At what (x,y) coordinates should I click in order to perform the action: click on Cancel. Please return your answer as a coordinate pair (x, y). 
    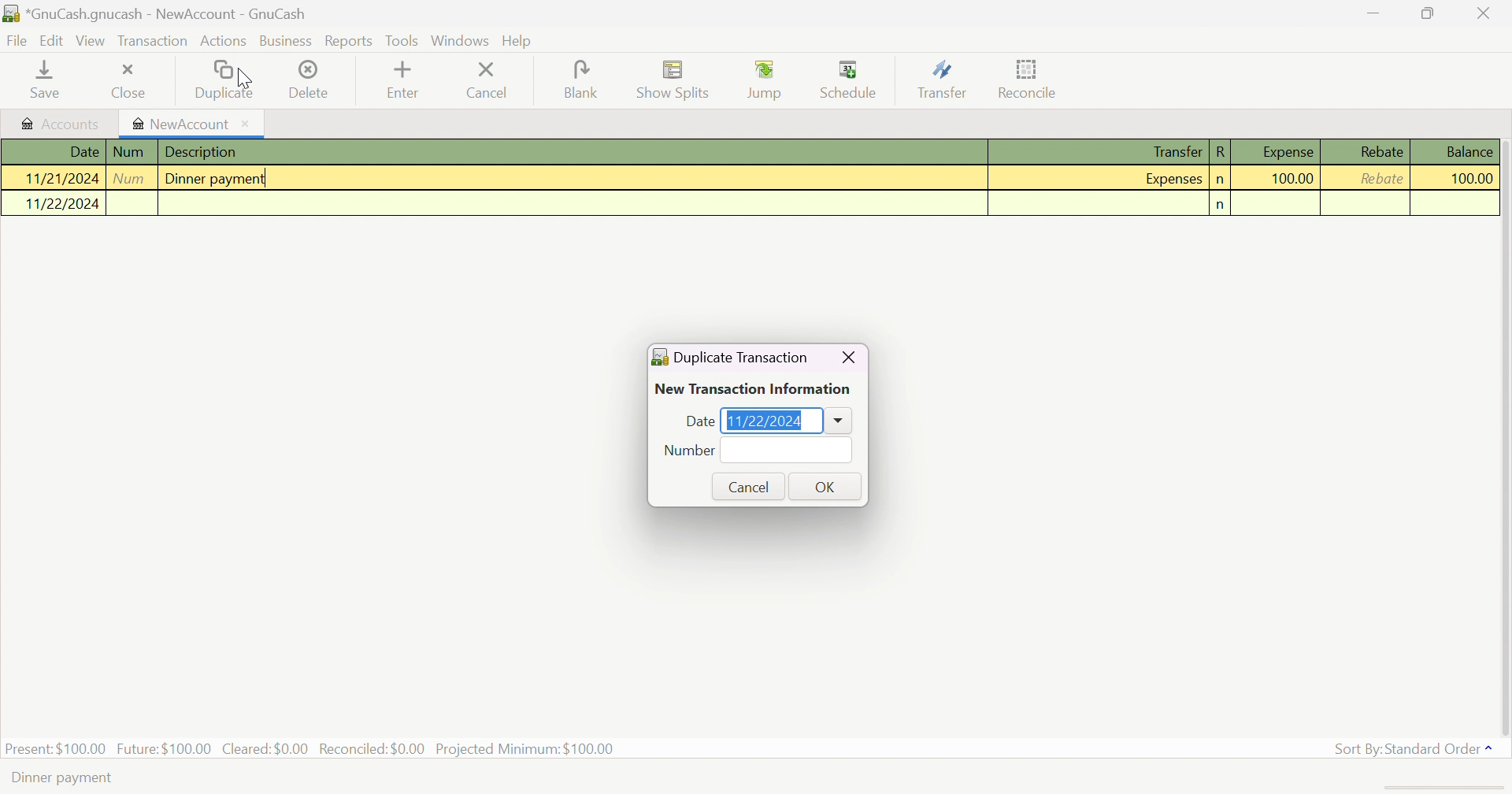
    Looking at the image, I should click on (752, 487).